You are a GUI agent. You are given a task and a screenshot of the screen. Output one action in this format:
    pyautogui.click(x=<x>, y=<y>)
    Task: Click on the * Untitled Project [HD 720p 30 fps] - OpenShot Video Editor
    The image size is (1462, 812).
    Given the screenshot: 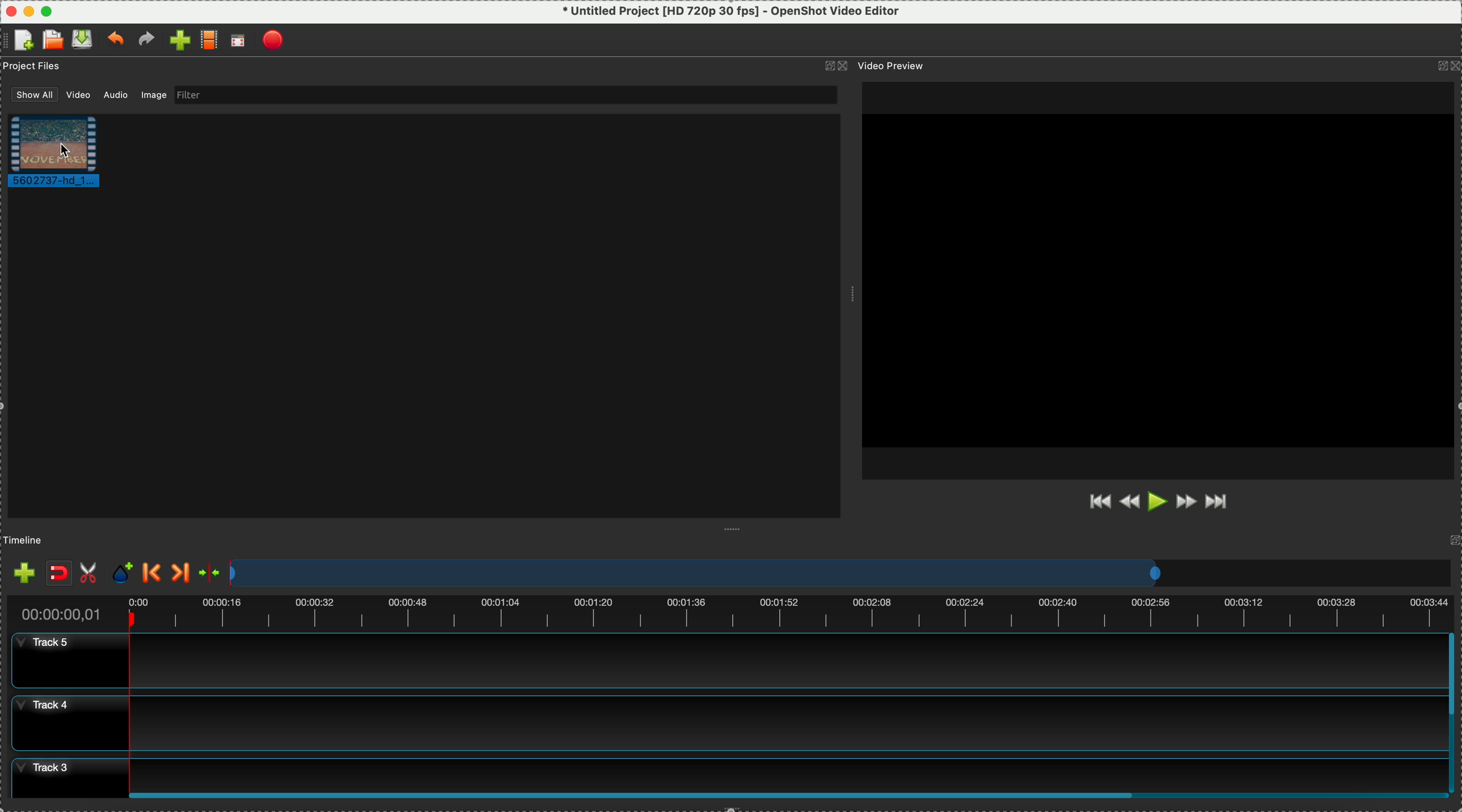 What is the action you would take?
    pyautogui.click(x=732, y=11)
    